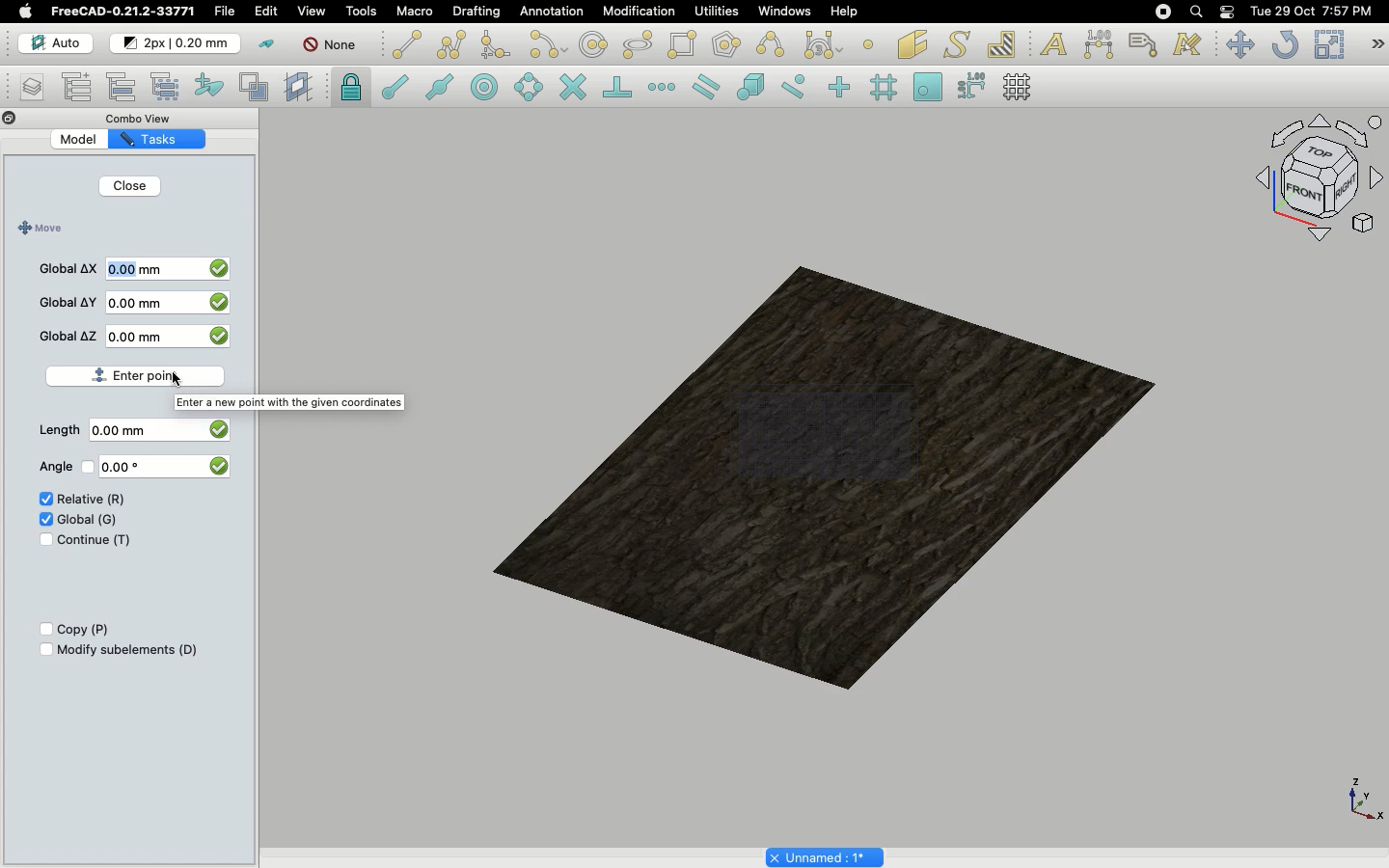 The image size is (1389, 868). I want to click on Check, so click(41, 501).